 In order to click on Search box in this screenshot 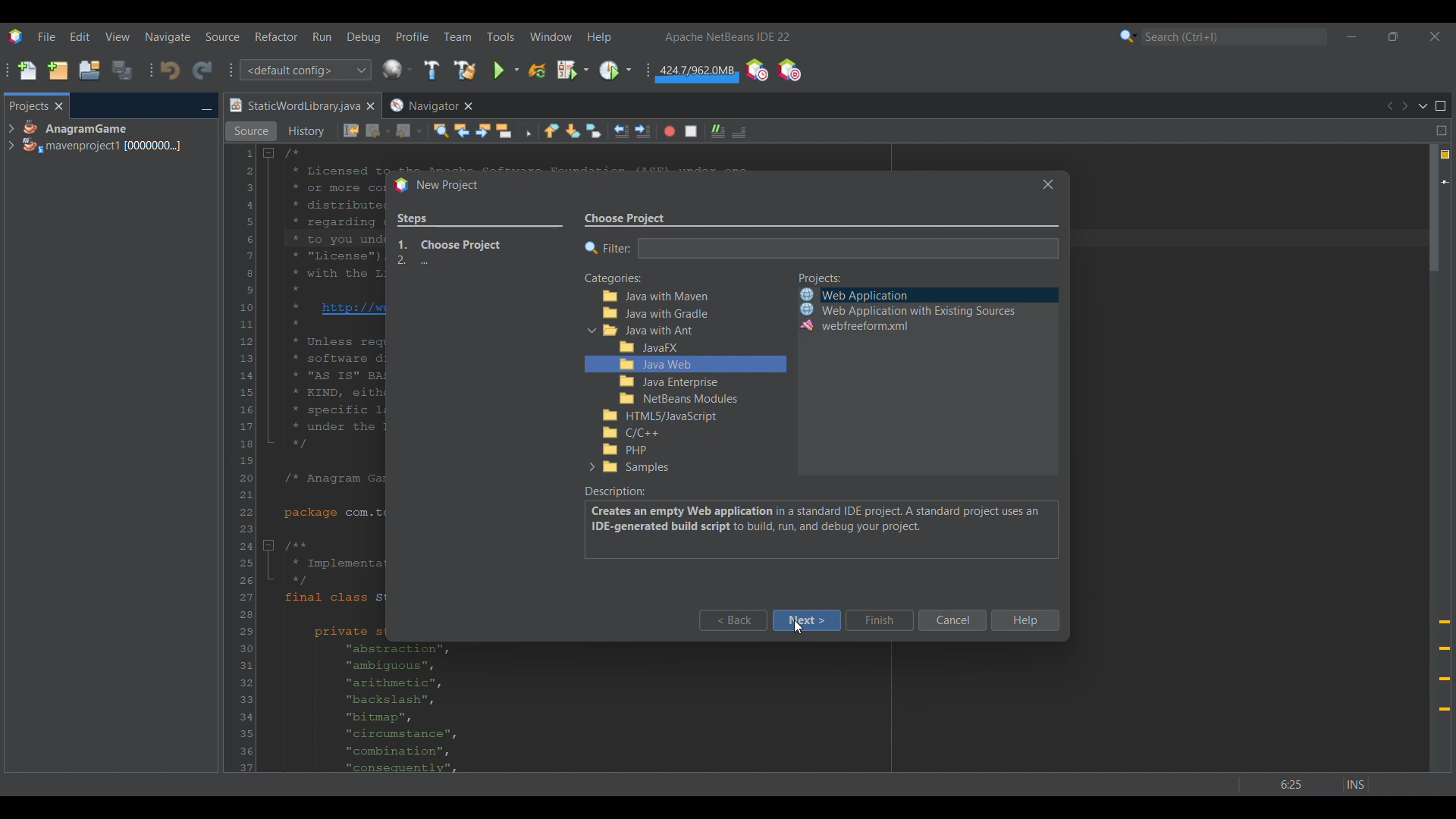, I will do `click(1235, 36)`.